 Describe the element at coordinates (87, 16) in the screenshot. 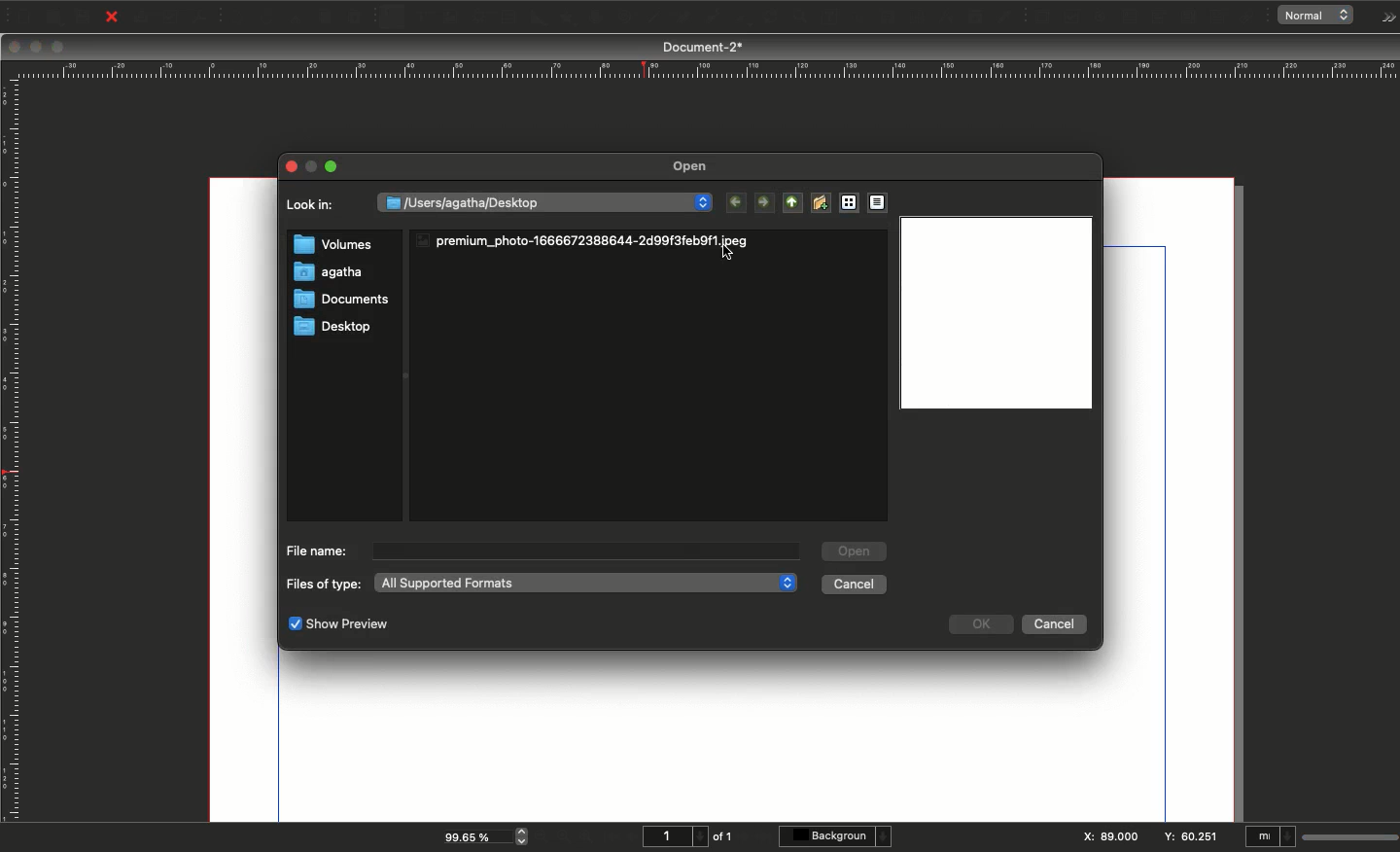

I see `Save` at that location.